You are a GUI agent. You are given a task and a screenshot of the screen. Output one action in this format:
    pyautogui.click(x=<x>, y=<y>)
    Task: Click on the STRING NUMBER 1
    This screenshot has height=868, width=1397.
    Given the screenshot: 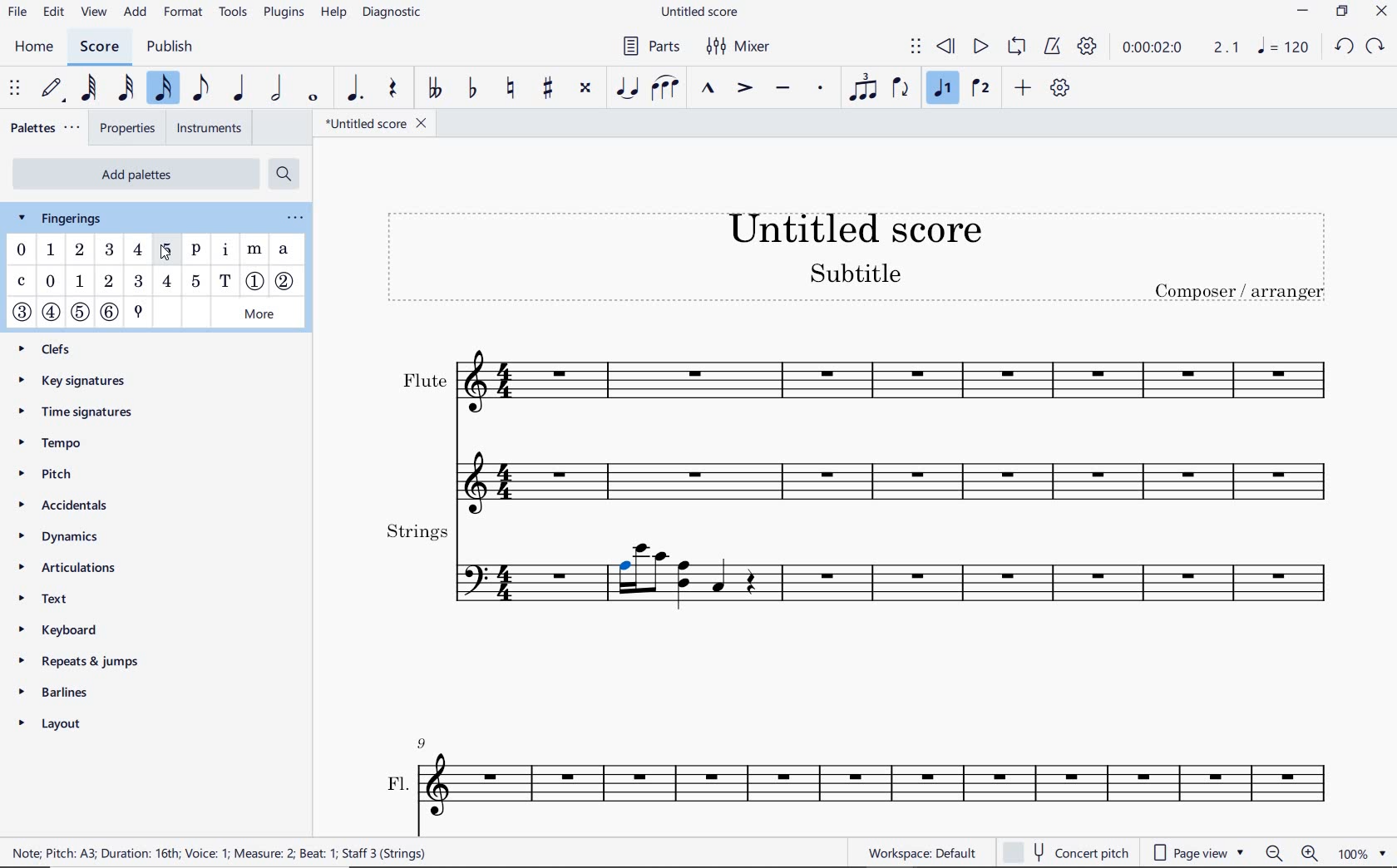 What is the action you would take?
    pyautogui.click(x=256, y=279)
    